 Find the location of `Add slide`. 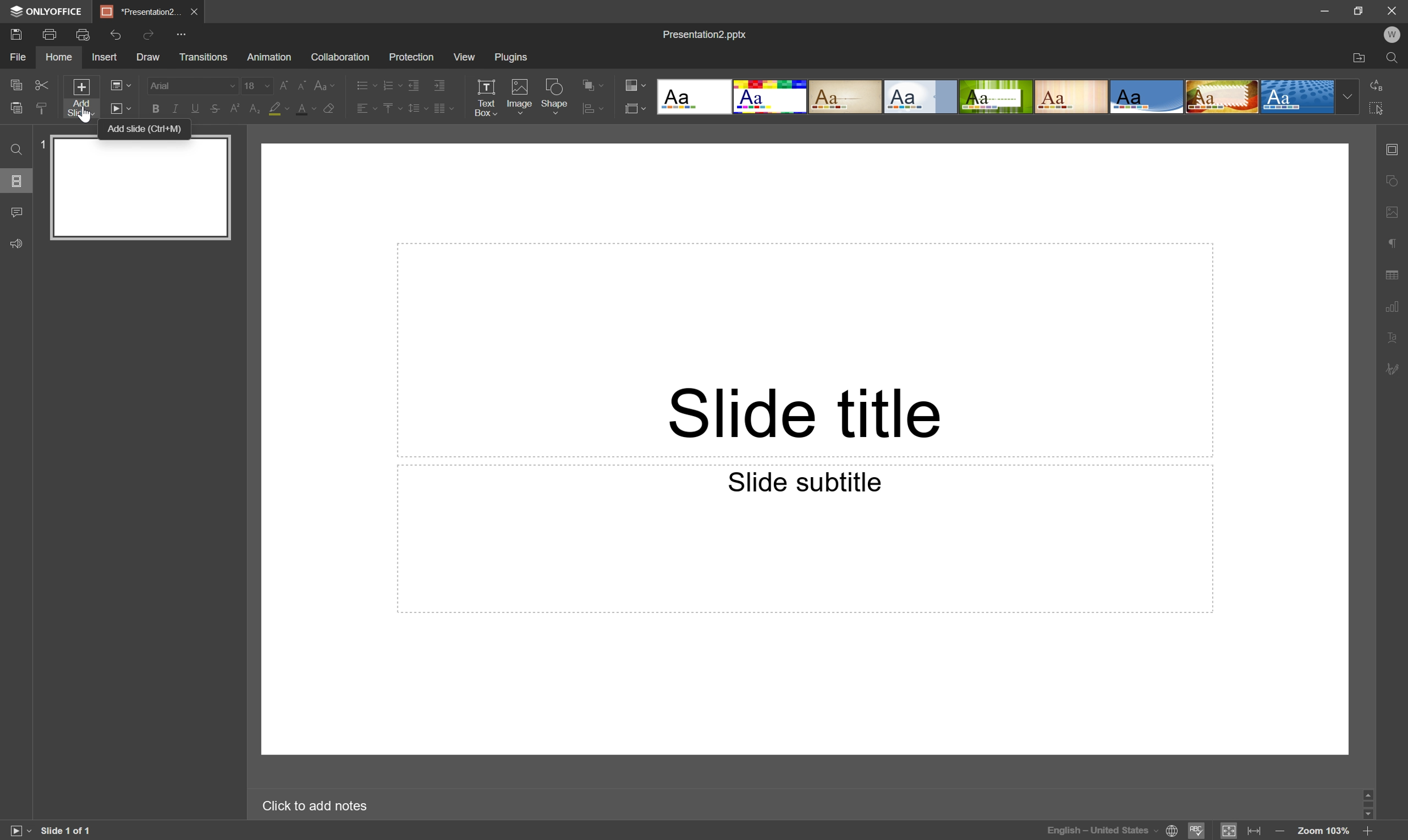

Add slide is located at coordinates (79, 97).